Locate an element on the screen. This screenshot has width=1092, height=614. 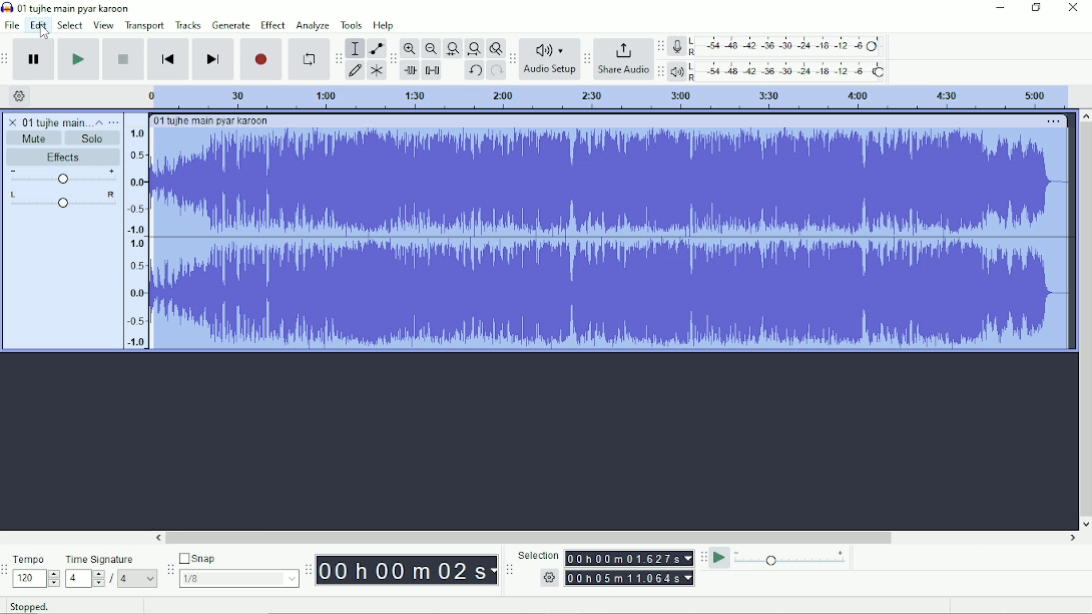
Minimize is located at coordinates (998, 8).